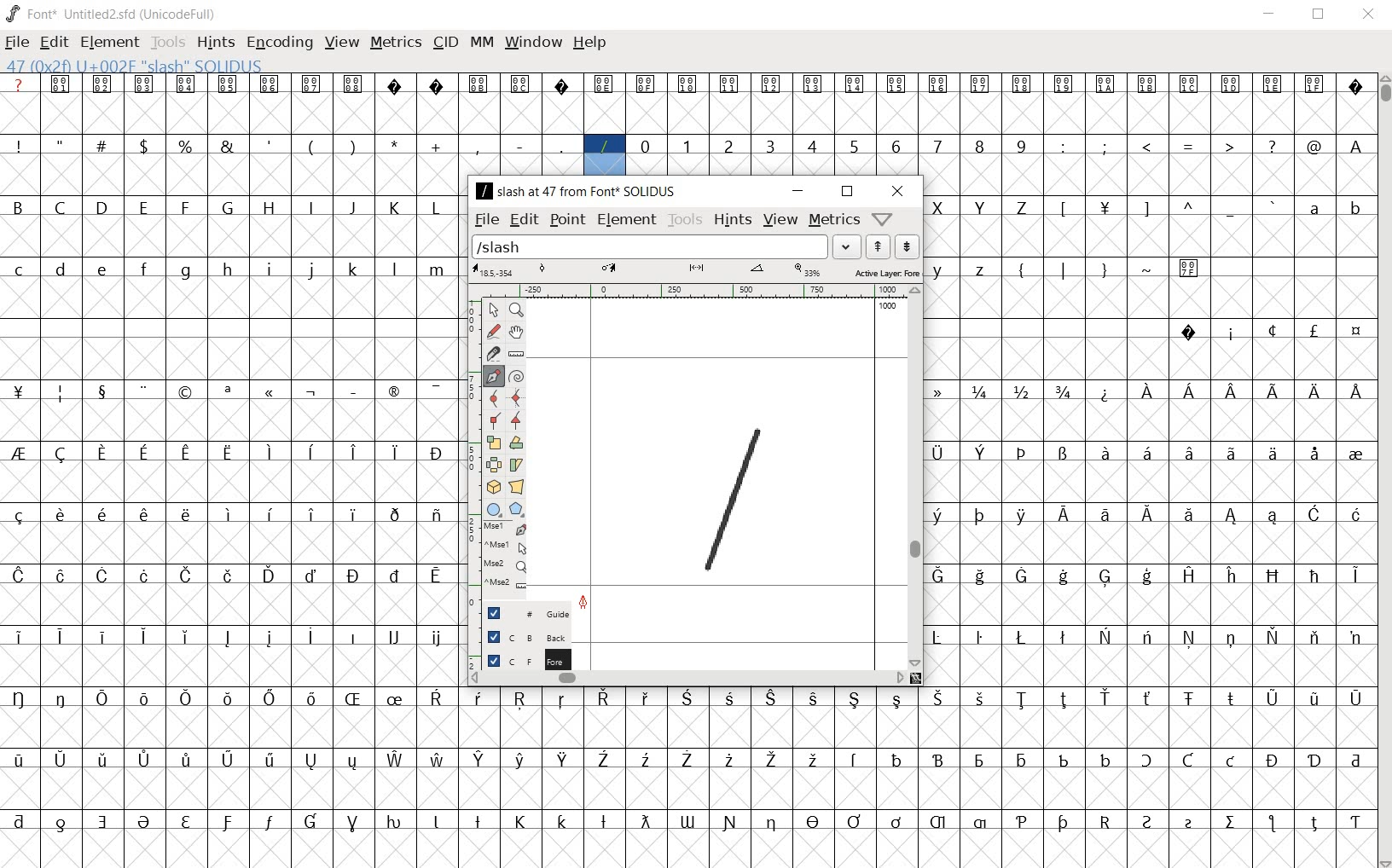 Image resolution: width=1392 pixels, height=868 pixels. What do you see at coordinates (1149, 176) in the screenshot?
I see `empty cells` at bounding box center [1149, 176].